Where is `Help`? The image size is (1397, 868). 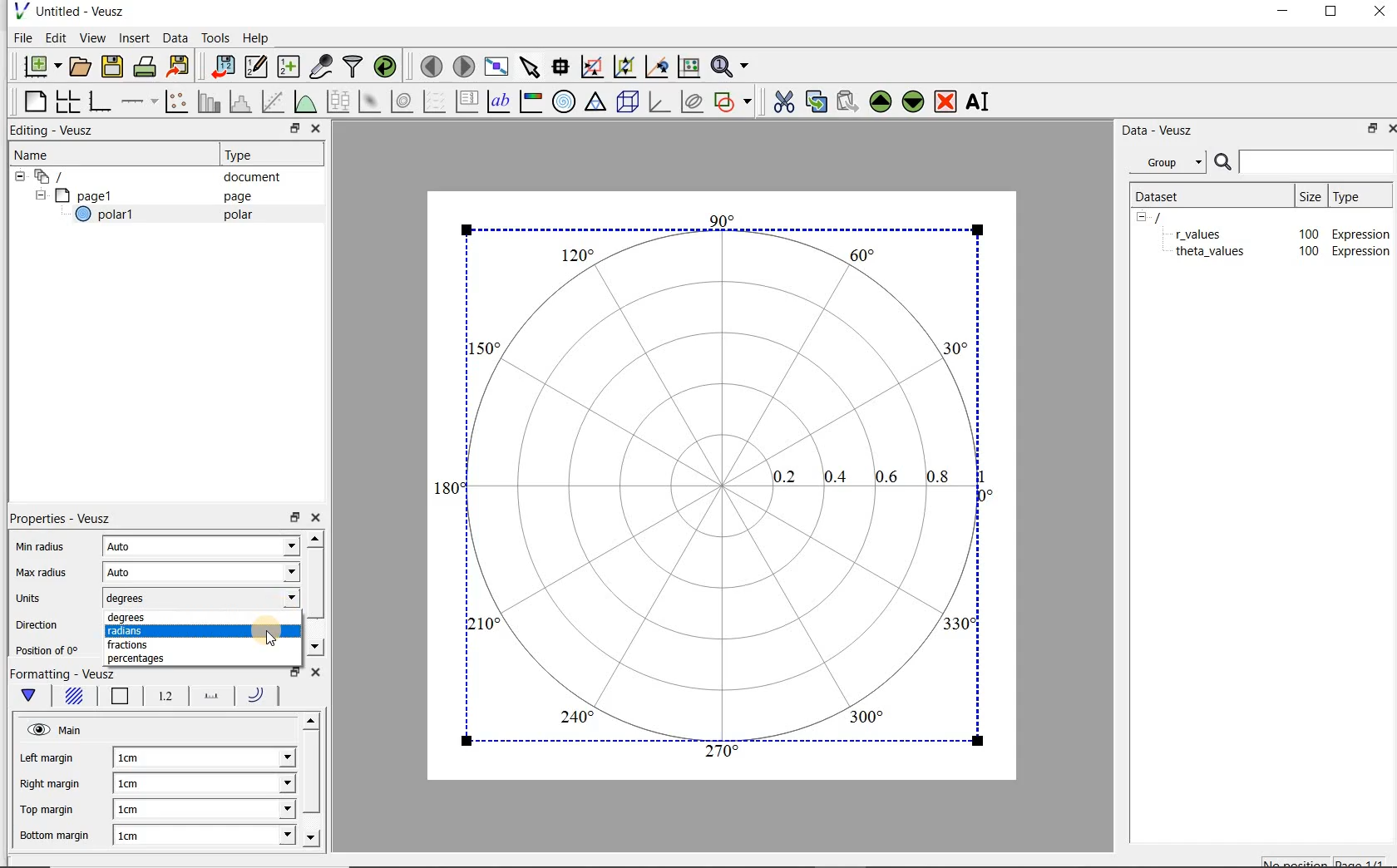
Help is located at coordinates (258, 37).